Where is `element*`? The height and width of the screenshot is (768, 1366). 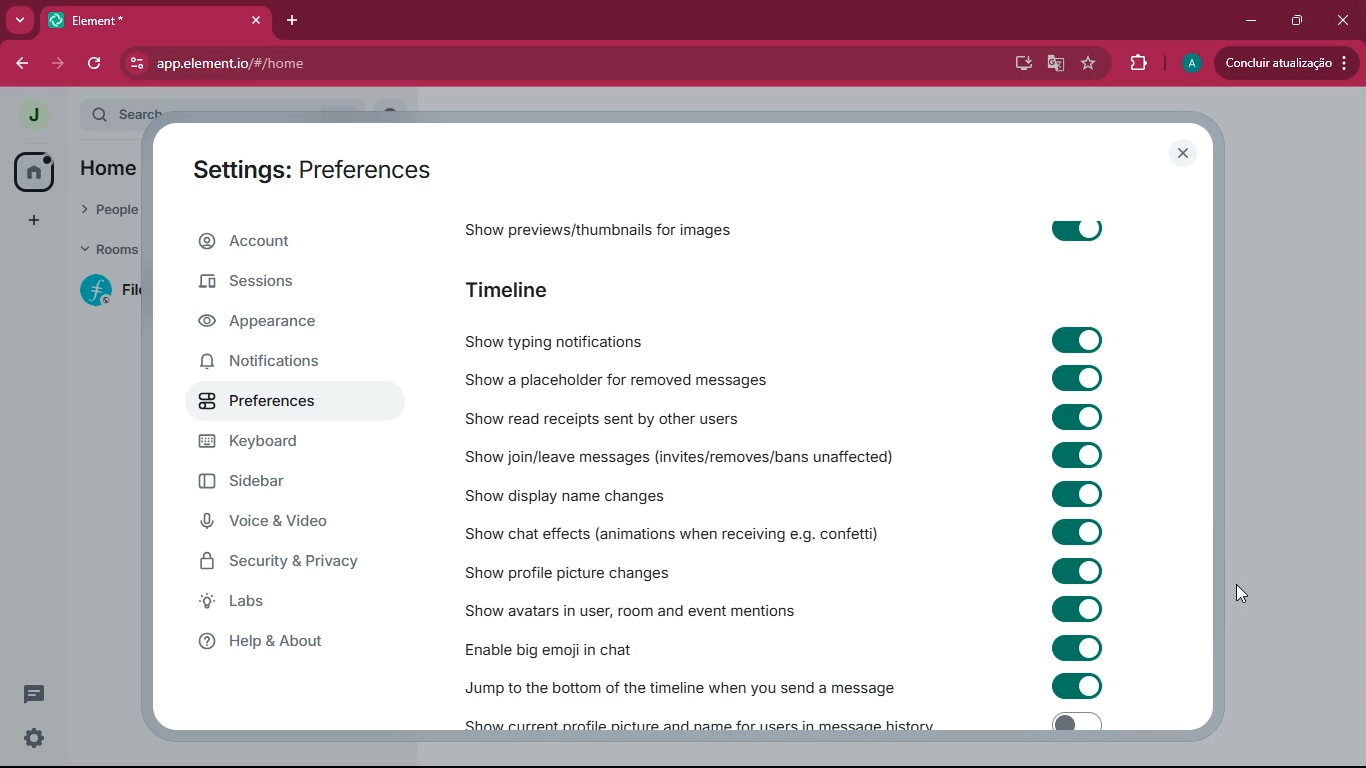
element* is located at coordinates (131, 20).